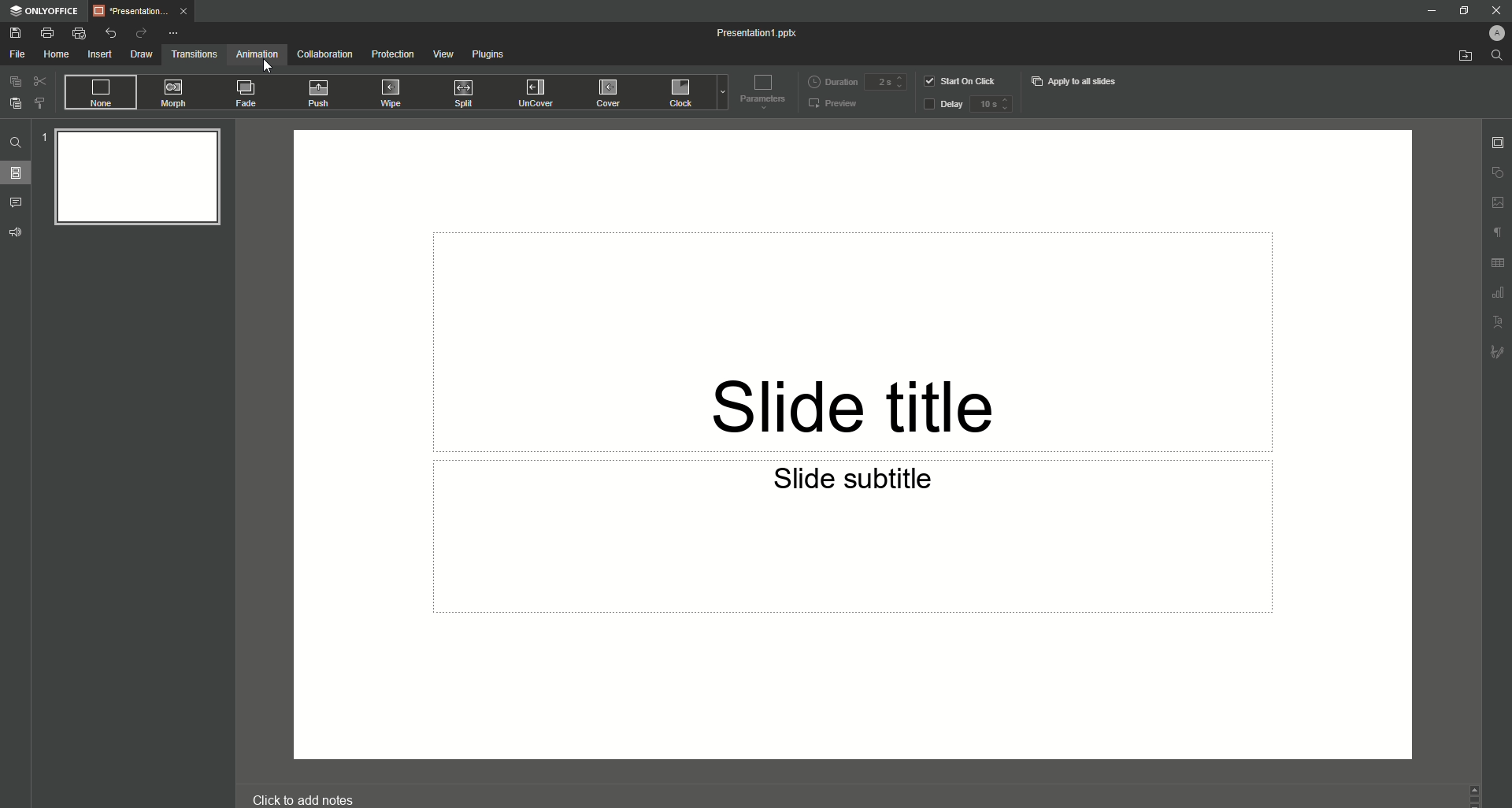 Image resolution: width=1512 pixels, height=808 pixels. What do you see at coordinates (536, 91) in the screenshot?
I see `UnCover` at bounding box center [536, 91].